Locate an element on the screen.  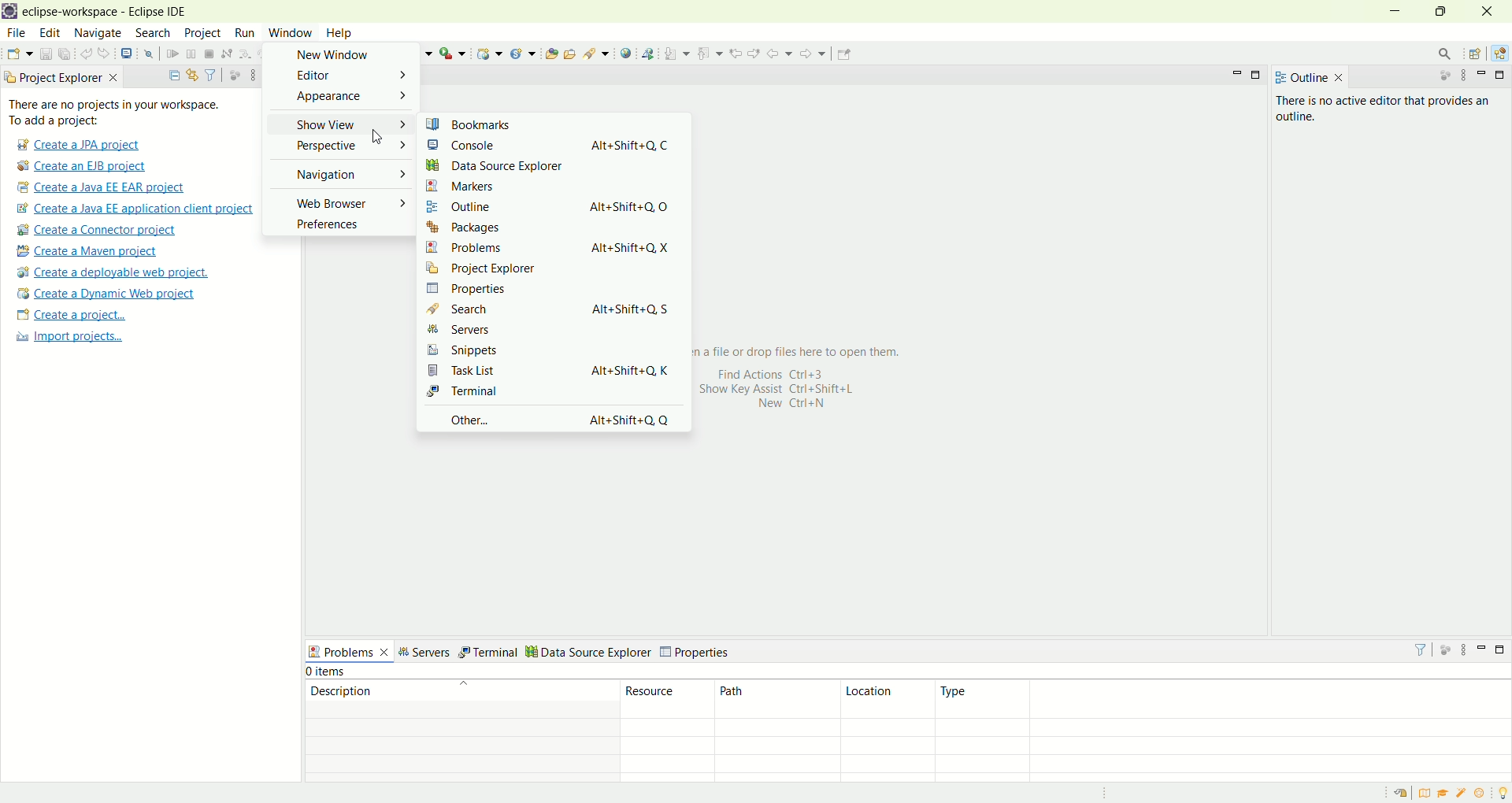
samples is located at coordinates (1461, 794).